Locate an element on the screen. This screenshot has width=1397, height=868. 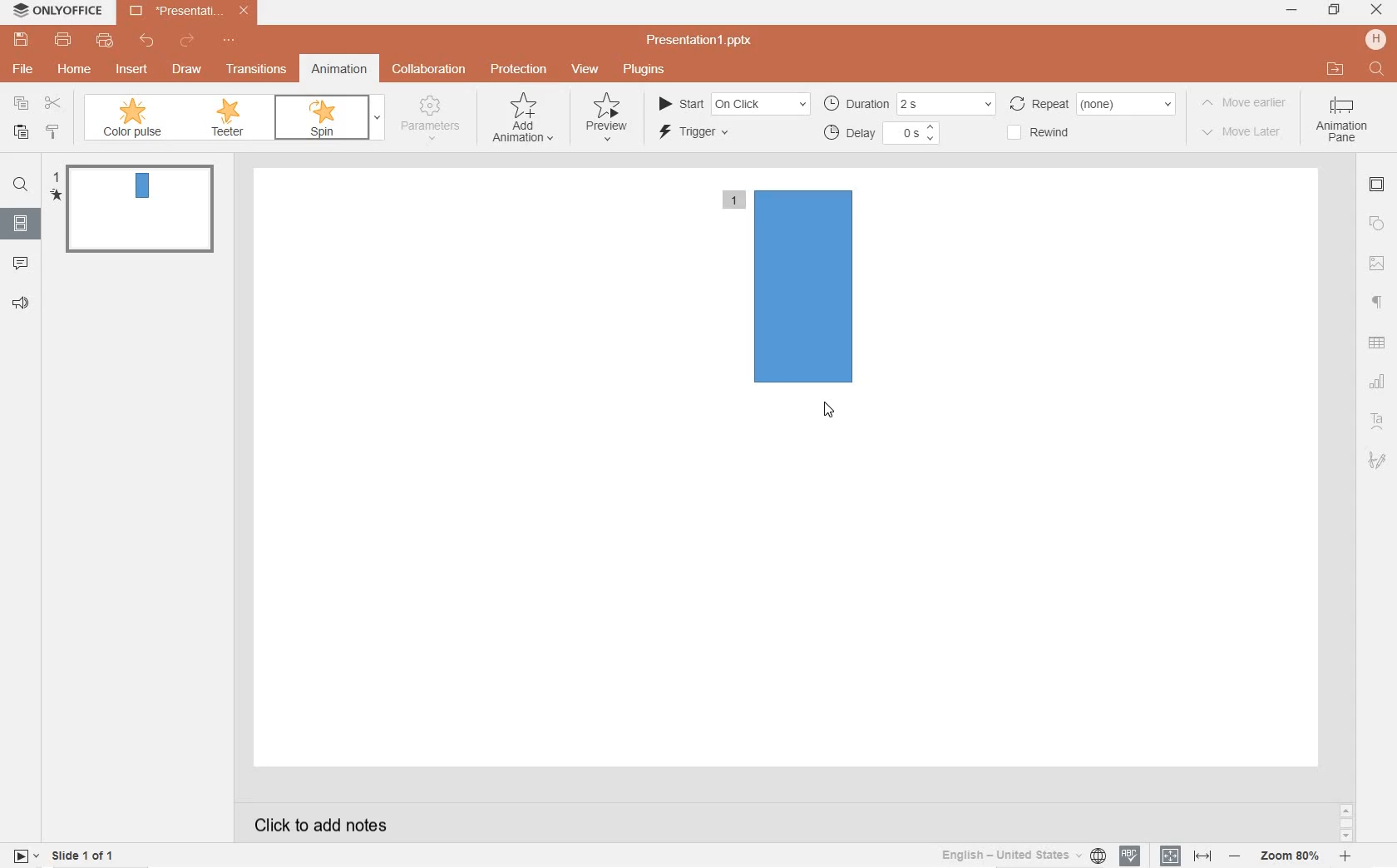
signature is located at coordinates (1378, 460).